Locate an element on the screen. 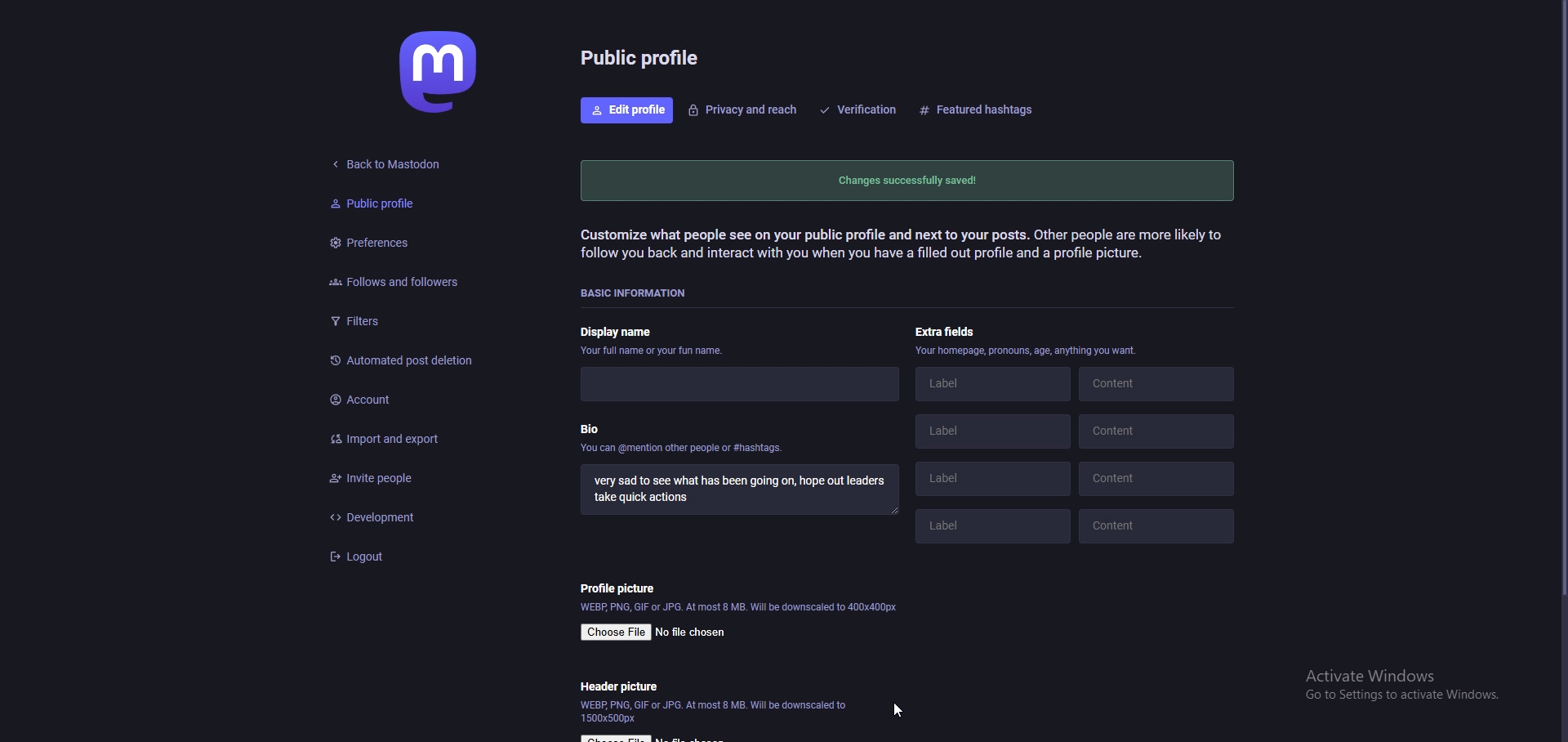 The height and width of the screenshot is (742, 1568). edit profile is located at coordinates (629, 110).